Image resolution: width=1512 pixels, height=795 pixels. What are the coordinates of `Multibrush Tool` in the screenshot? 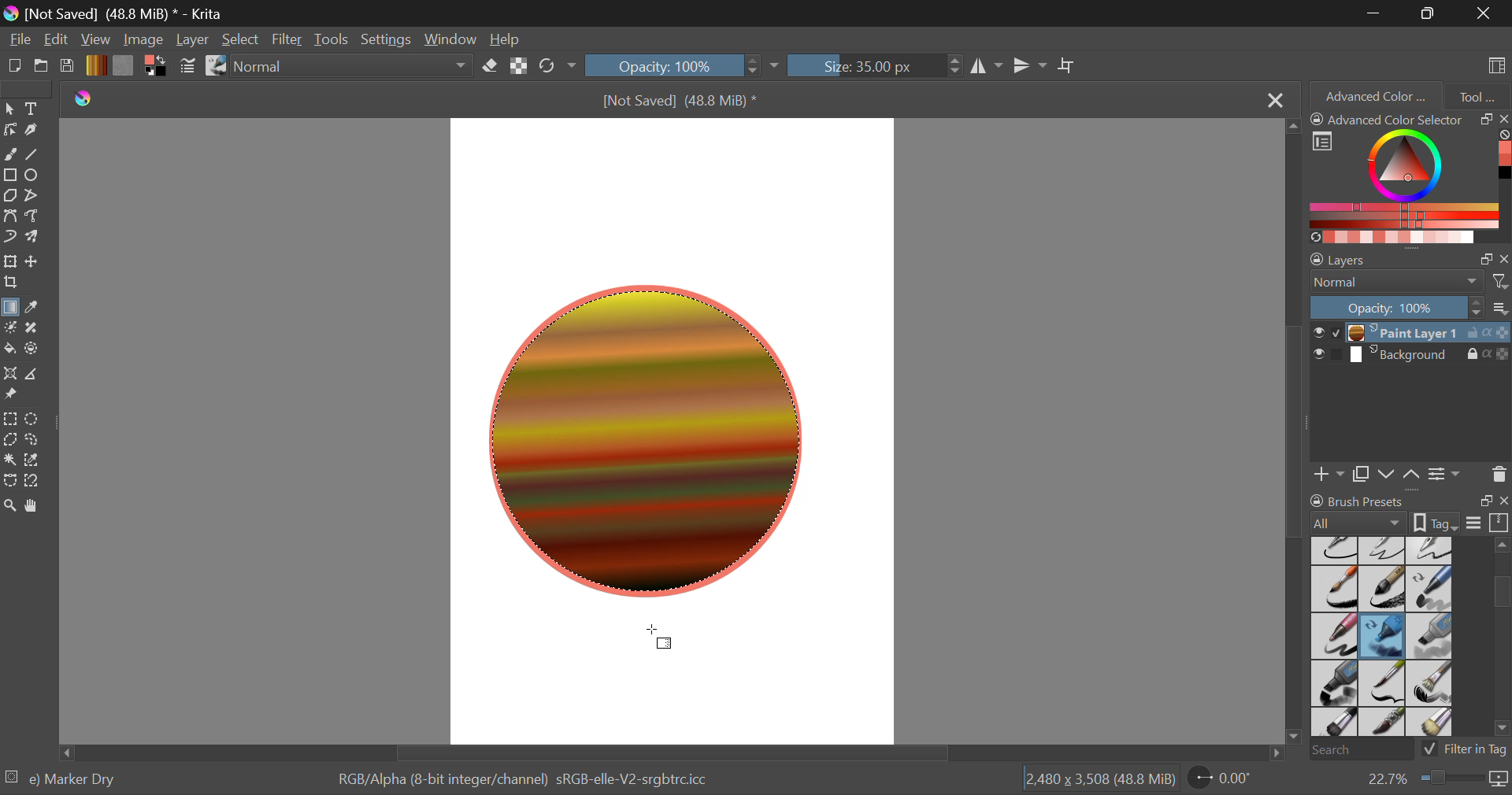 It's located at (37, 238).